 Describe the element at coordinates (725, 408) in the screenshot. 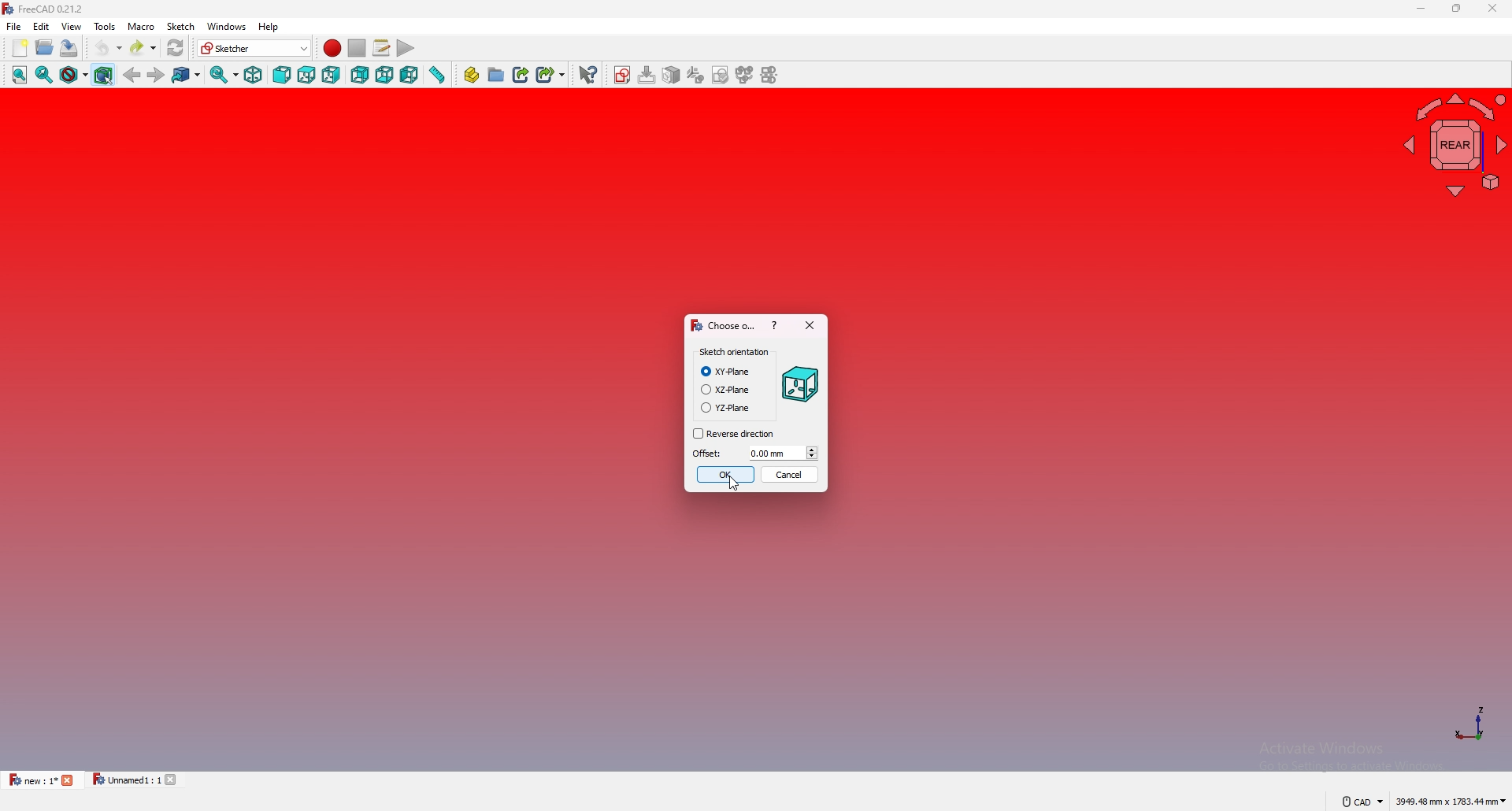

I see `YZ-plane` at that location.